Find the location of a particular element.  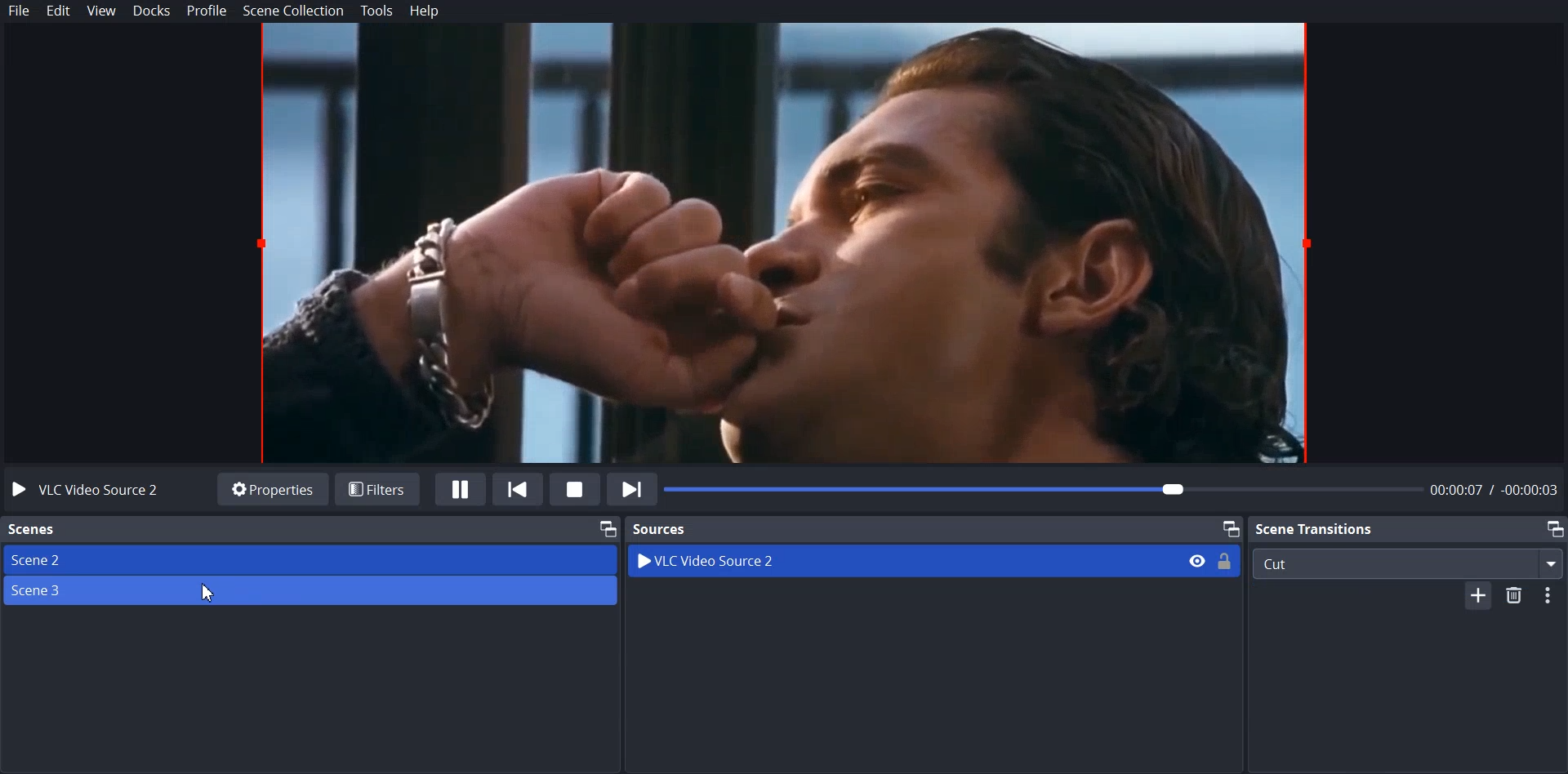

VLC Video Source is located at coordinates (91, 489).